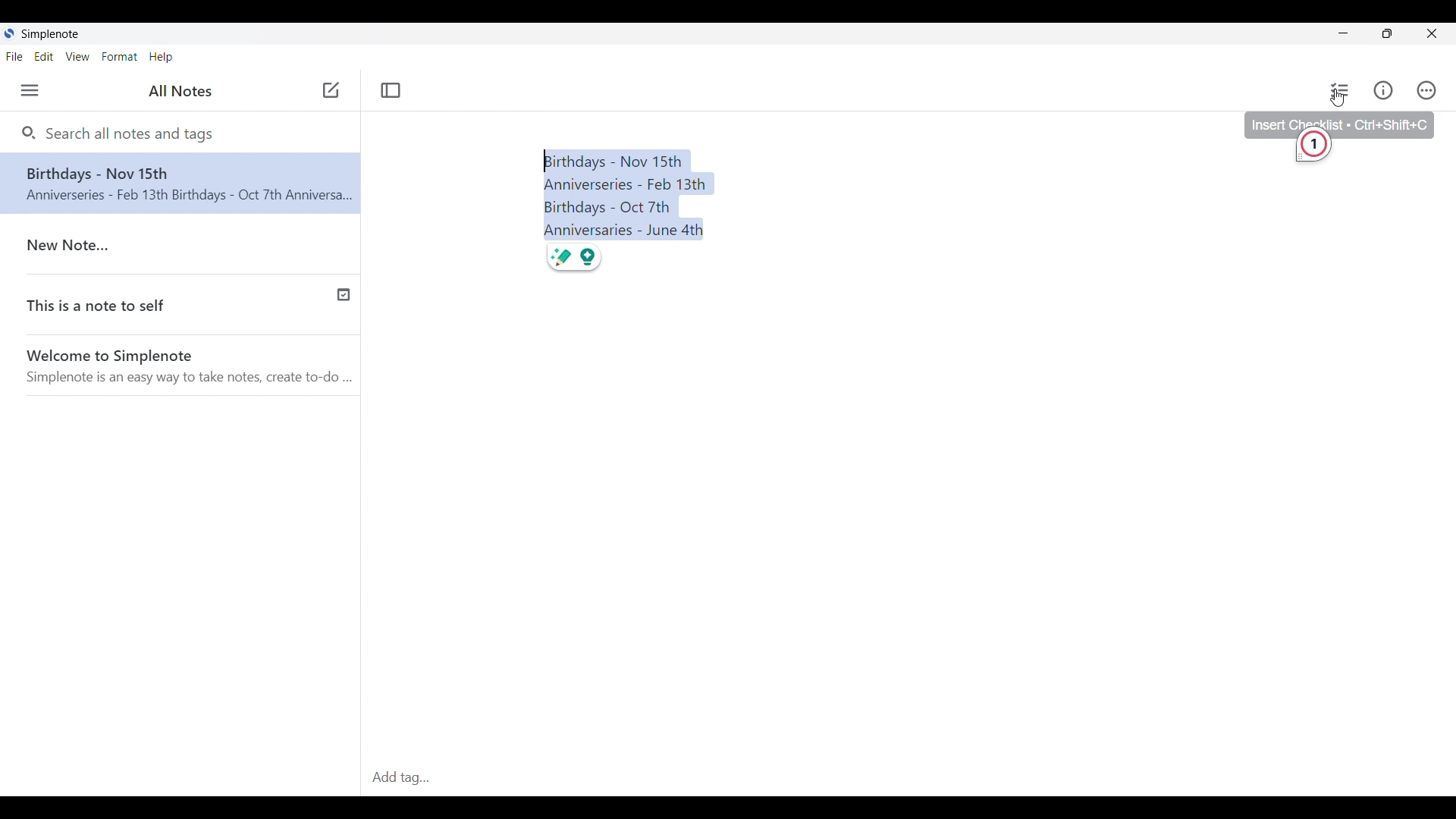  Describe the element at coordinates (78, 56) in the screenshot. I see `View menu` at that location.